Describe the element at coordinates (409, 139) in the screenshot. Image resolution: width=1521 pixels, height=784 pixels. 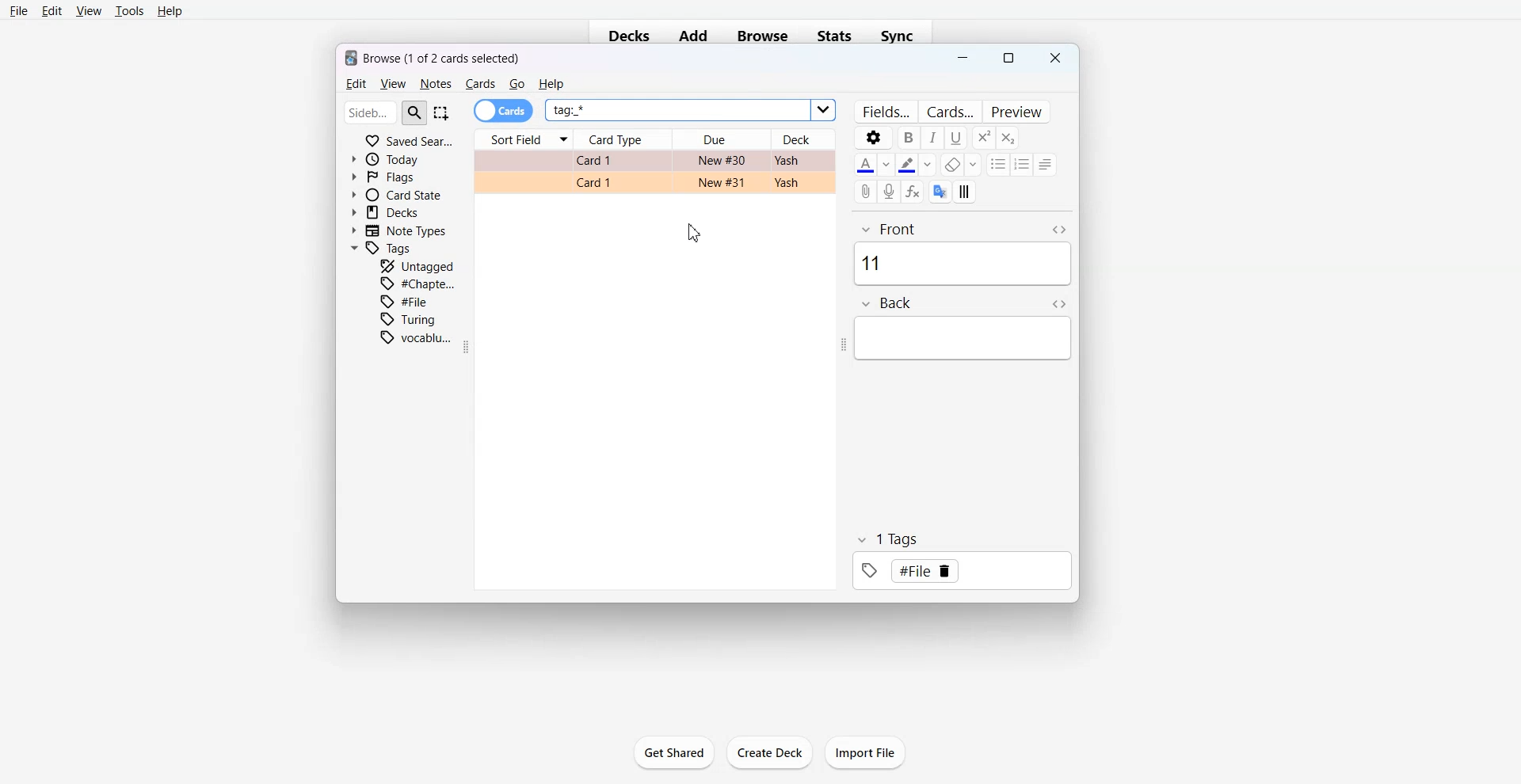
I see `Saved Search` at that location.